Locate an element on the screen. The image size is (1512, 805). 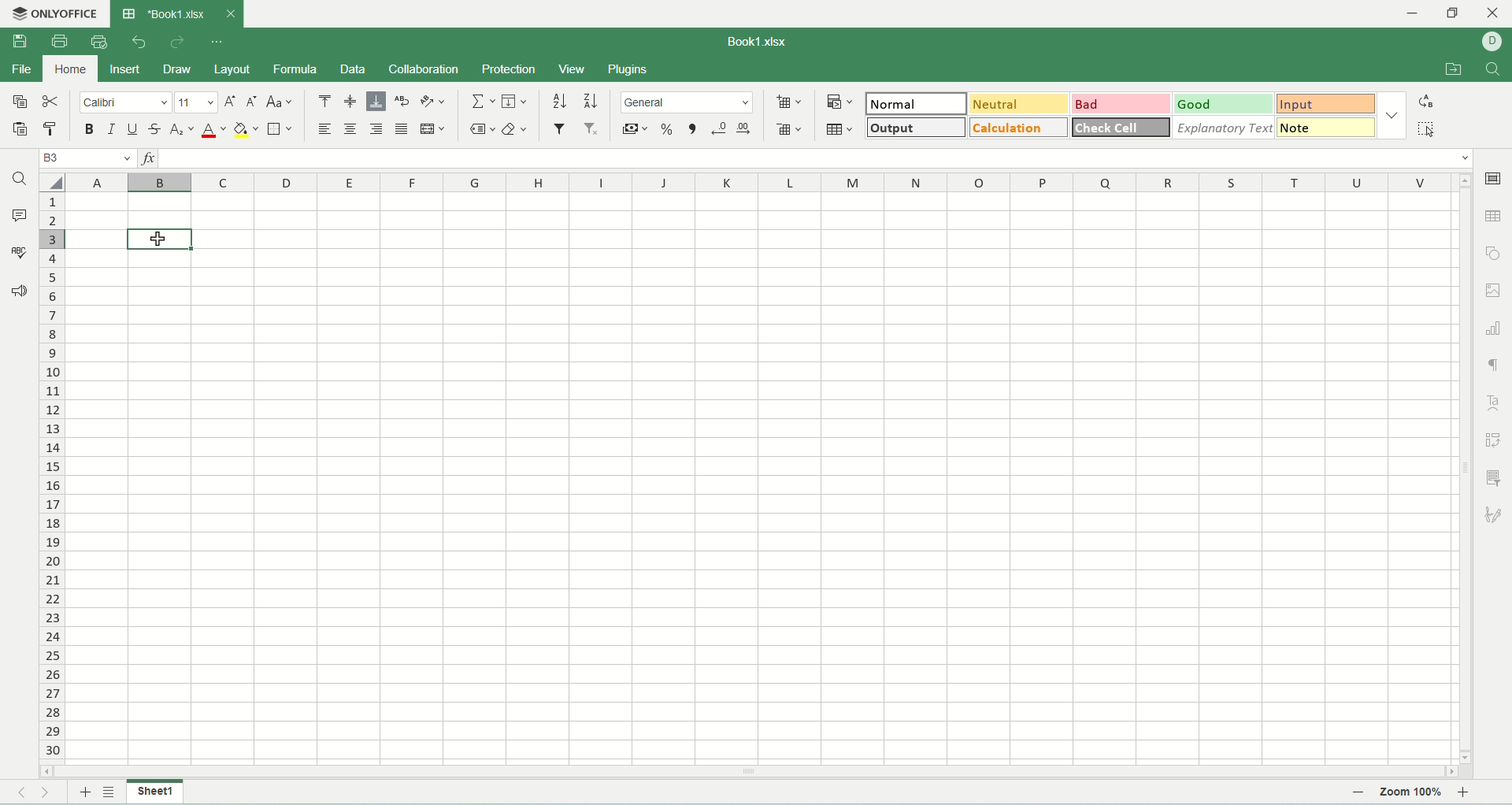
column name is located at coordinates (759, 184).